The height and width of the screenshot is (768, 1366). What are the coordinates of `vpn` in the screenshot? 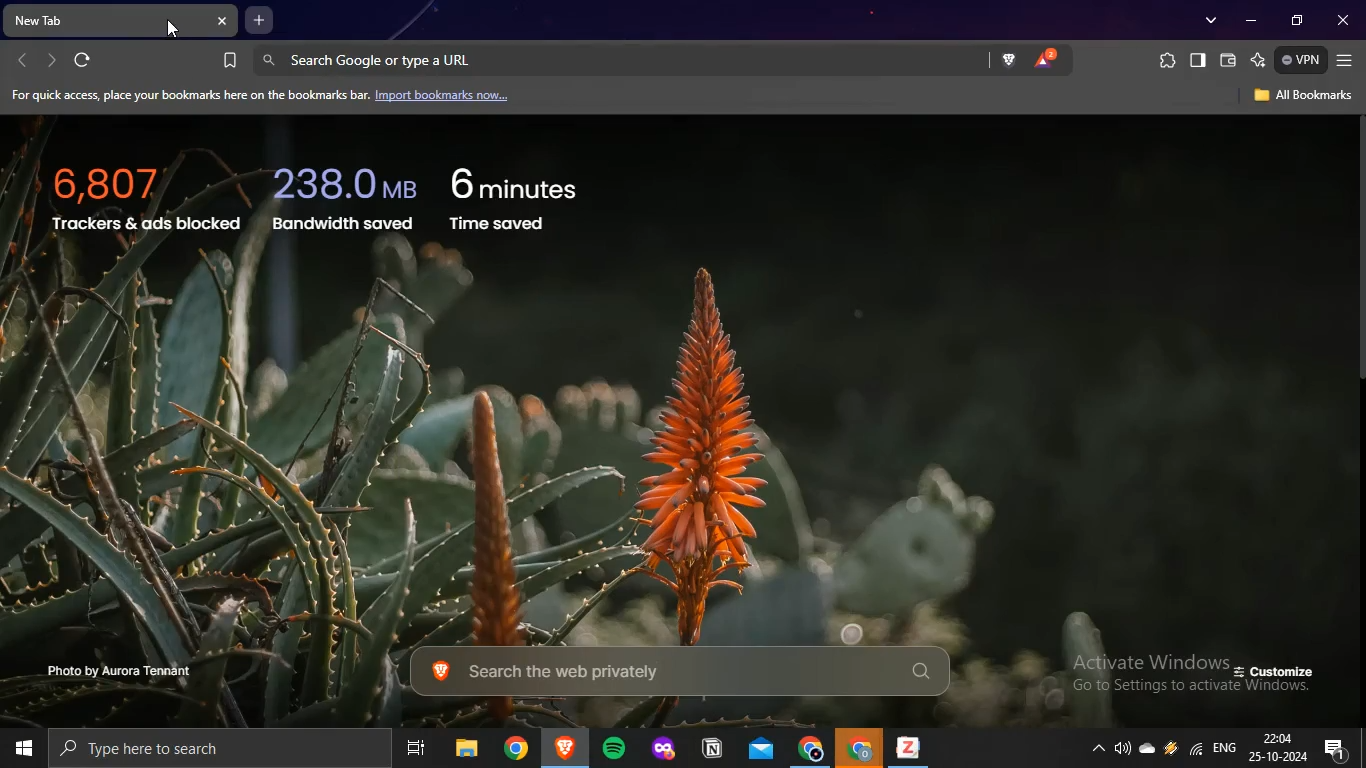 It's located at (1301, 59).